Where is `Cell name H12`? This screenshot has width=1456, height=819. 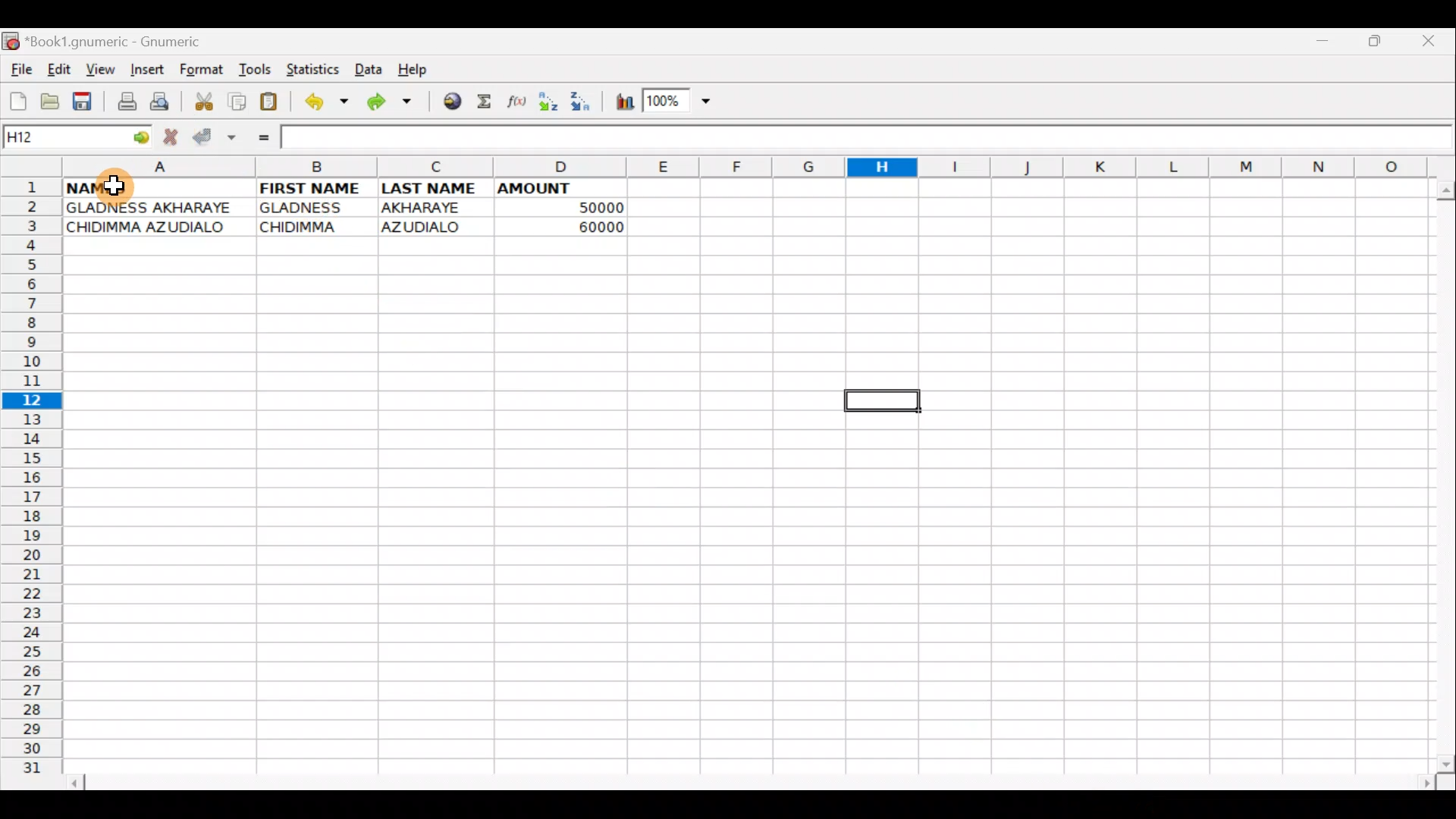 Cell name H12 is located at coordinates (56, 139).